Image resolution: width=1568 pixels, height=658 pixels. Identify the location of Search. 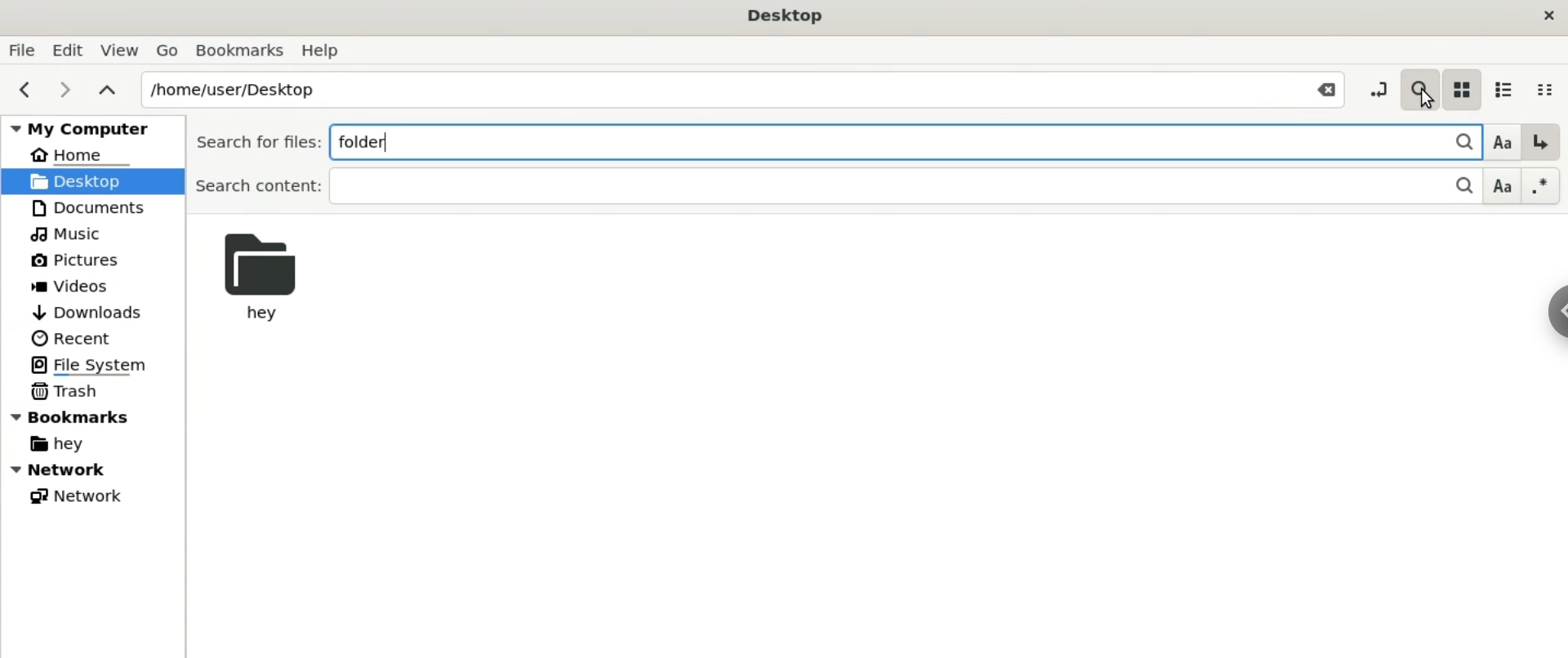
(1419, 86).